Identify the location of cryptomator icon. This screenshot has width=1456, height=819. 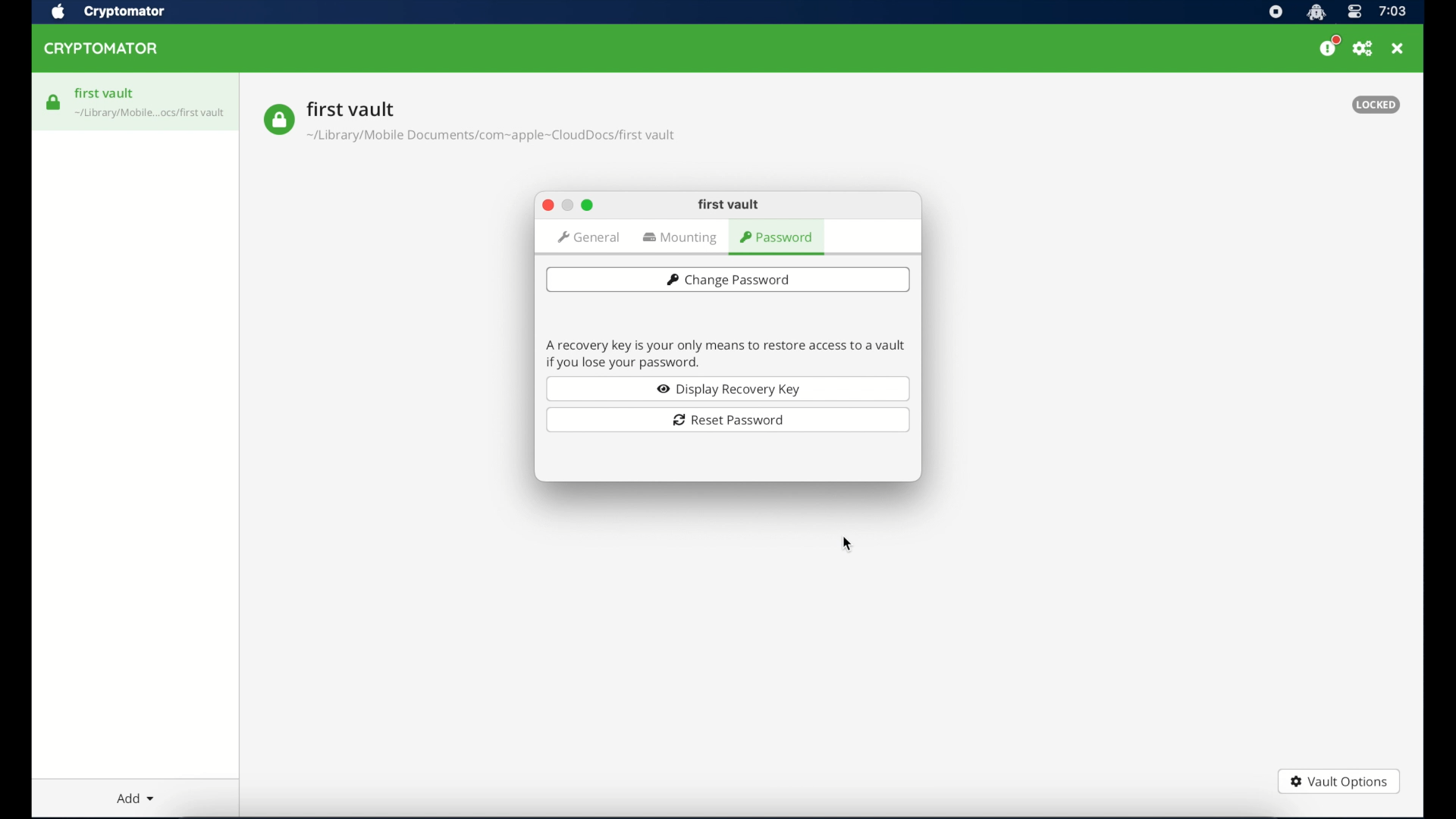
(1316, 13).